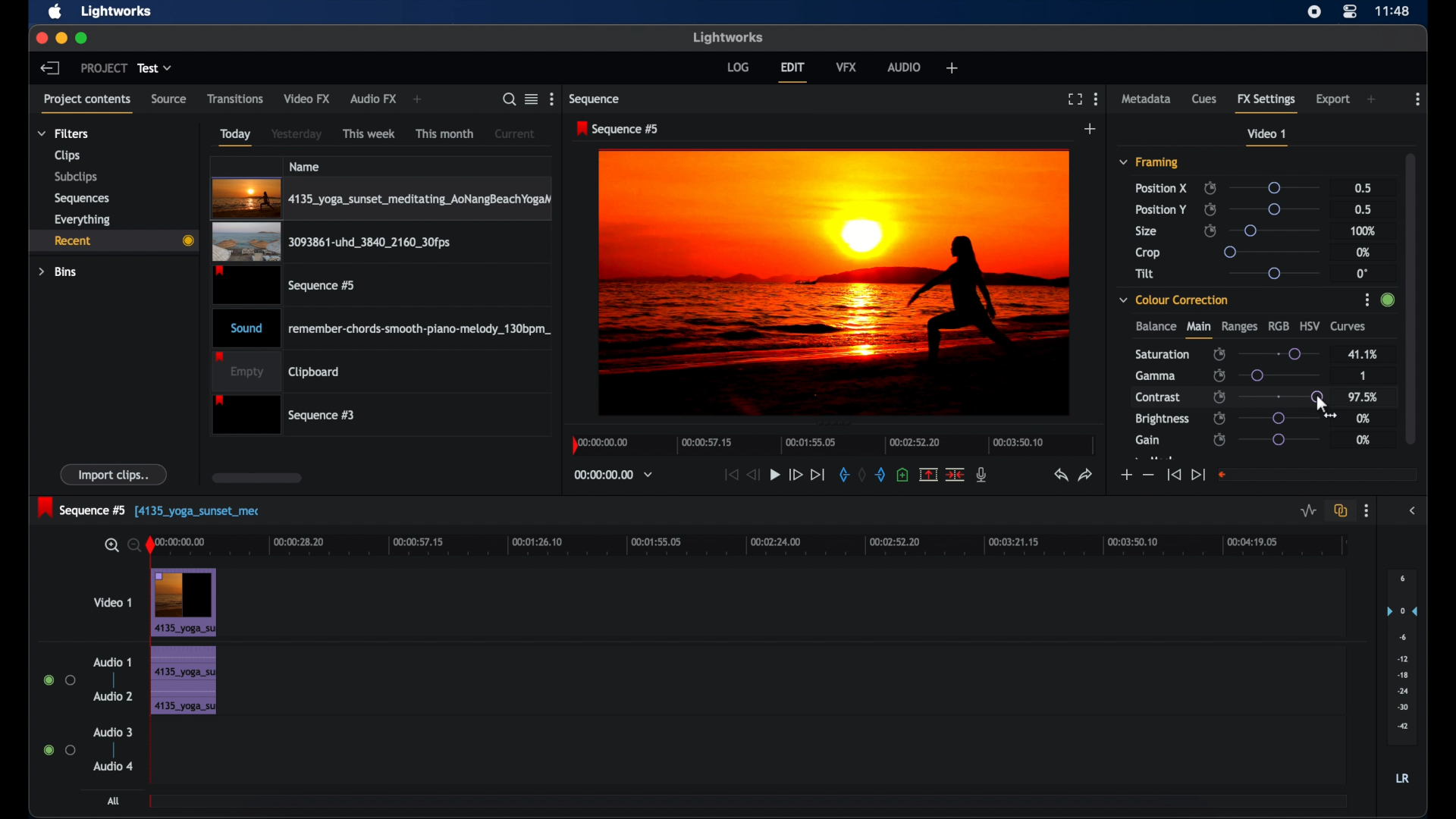  I want to click on empty field, so click(1318, 474).